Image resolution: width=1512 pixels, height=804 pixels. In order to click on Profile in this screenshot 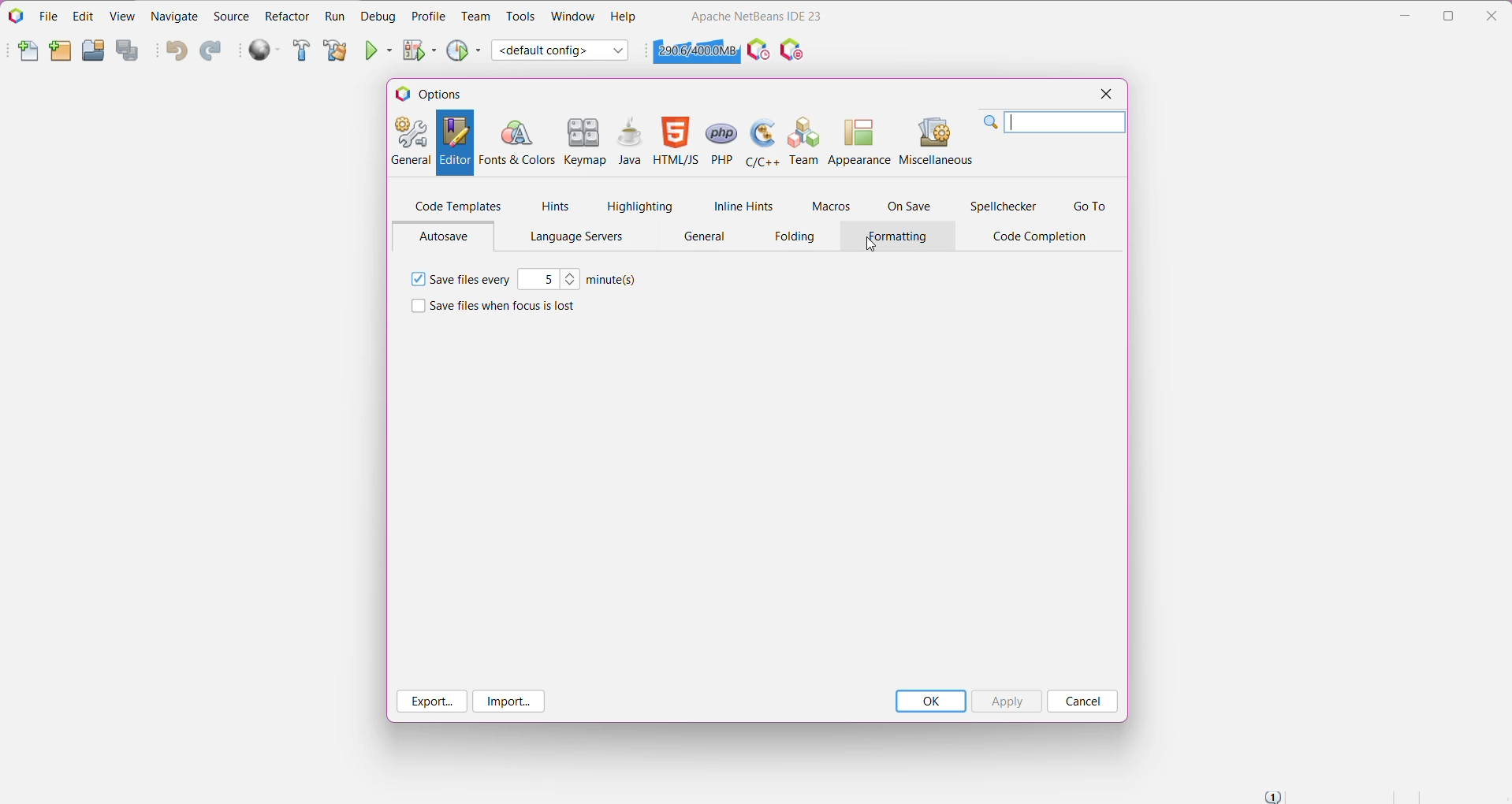, I will do `click(429, 16)`.